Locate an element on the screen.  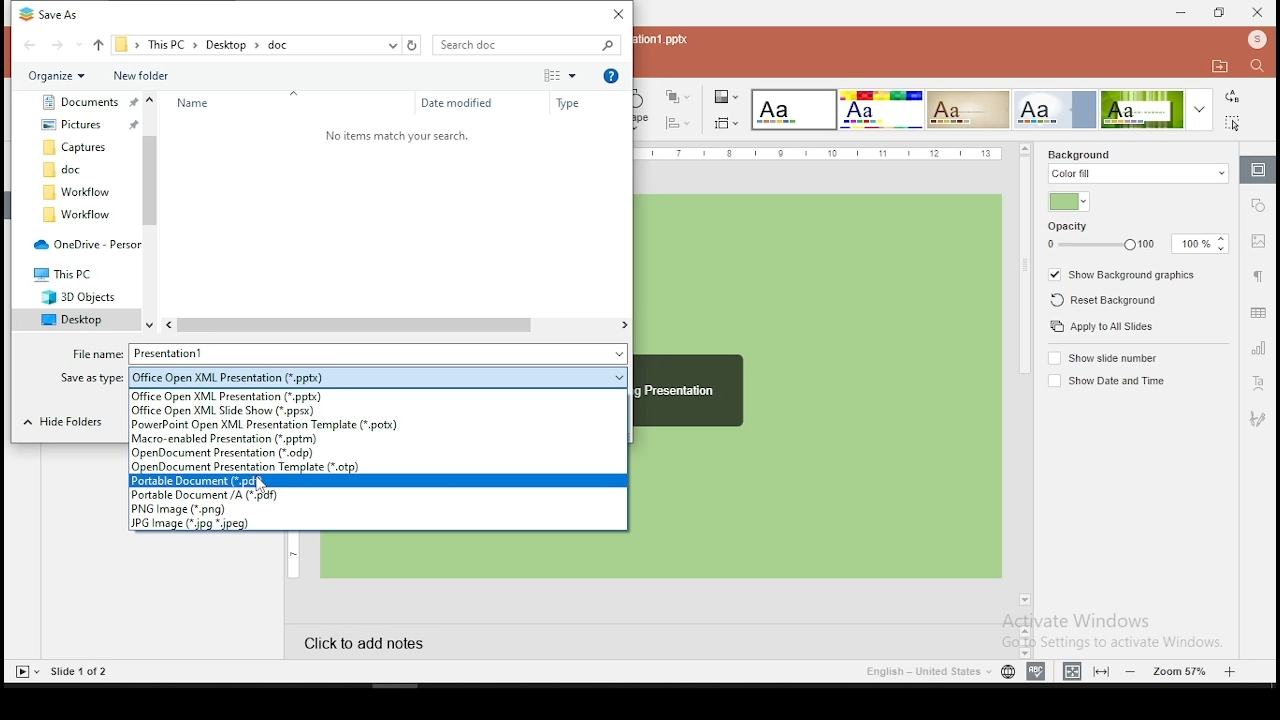
text is located at coordinates (395, 134).